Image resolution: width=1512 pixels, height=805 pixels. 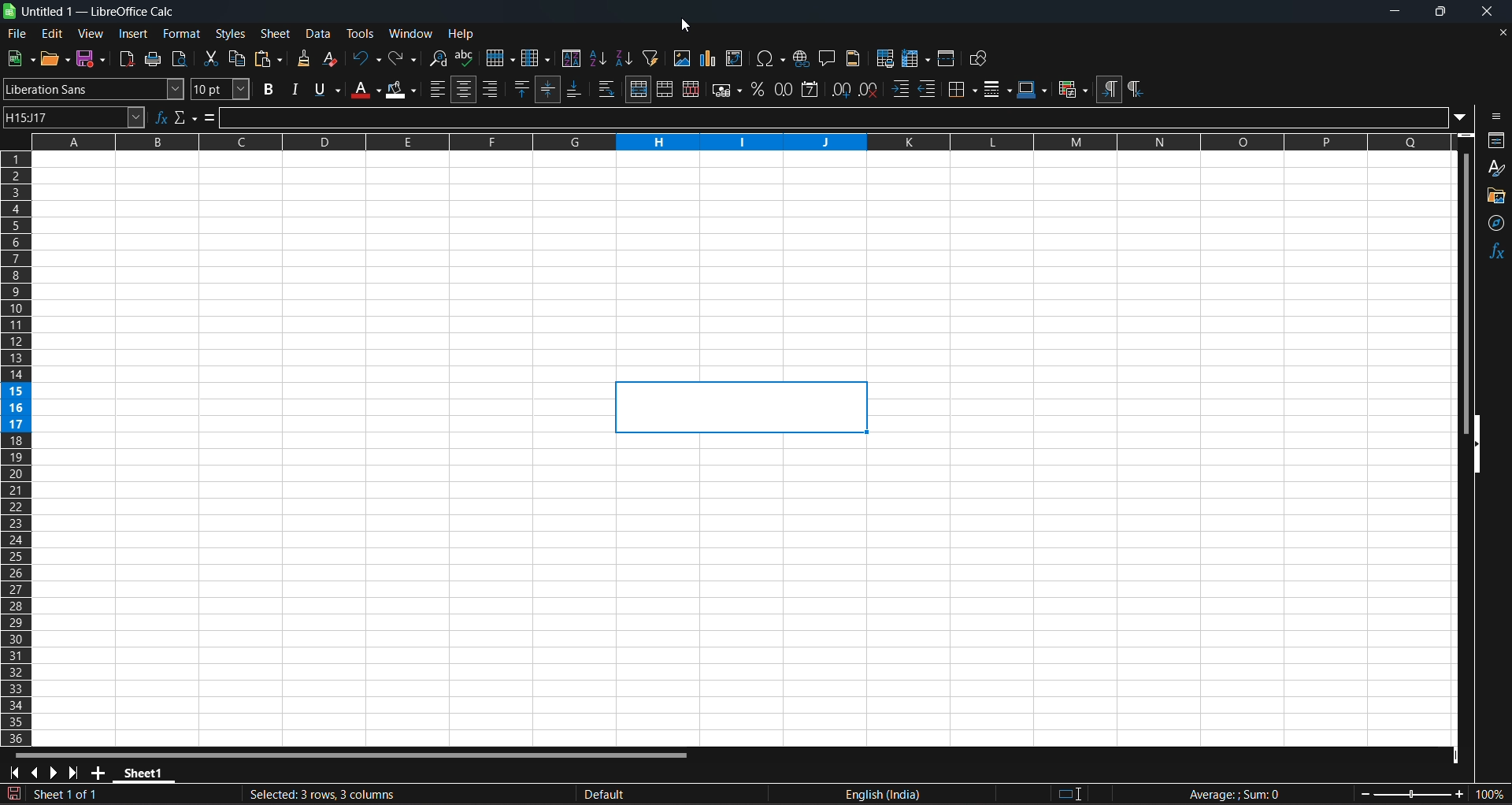 What do you see at coordinates (16, 448) in the screenshot?
I see `columns` at bounding box center [16, 448].